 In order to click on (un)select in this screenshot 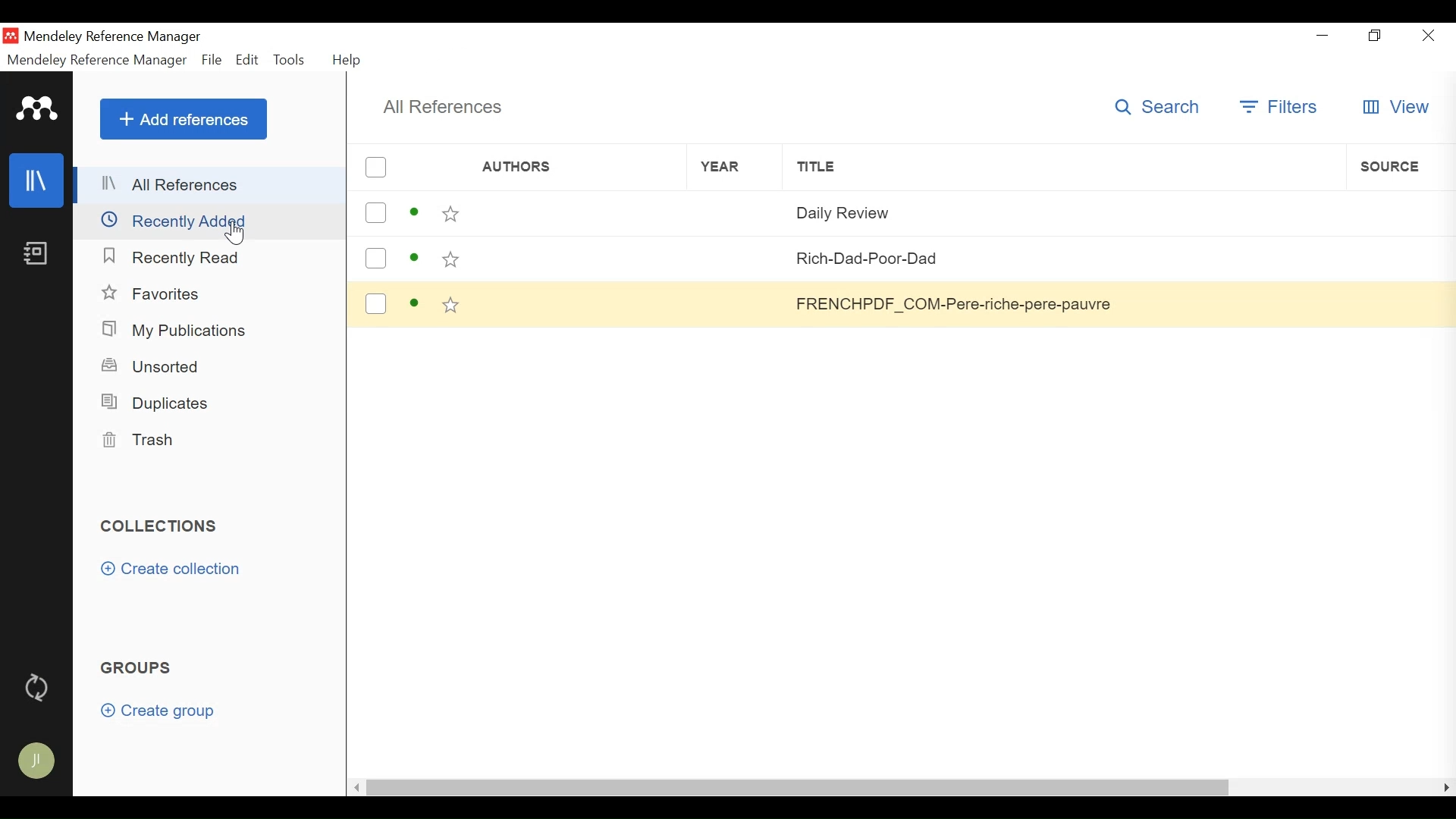, I will do `click(375, 305)`.